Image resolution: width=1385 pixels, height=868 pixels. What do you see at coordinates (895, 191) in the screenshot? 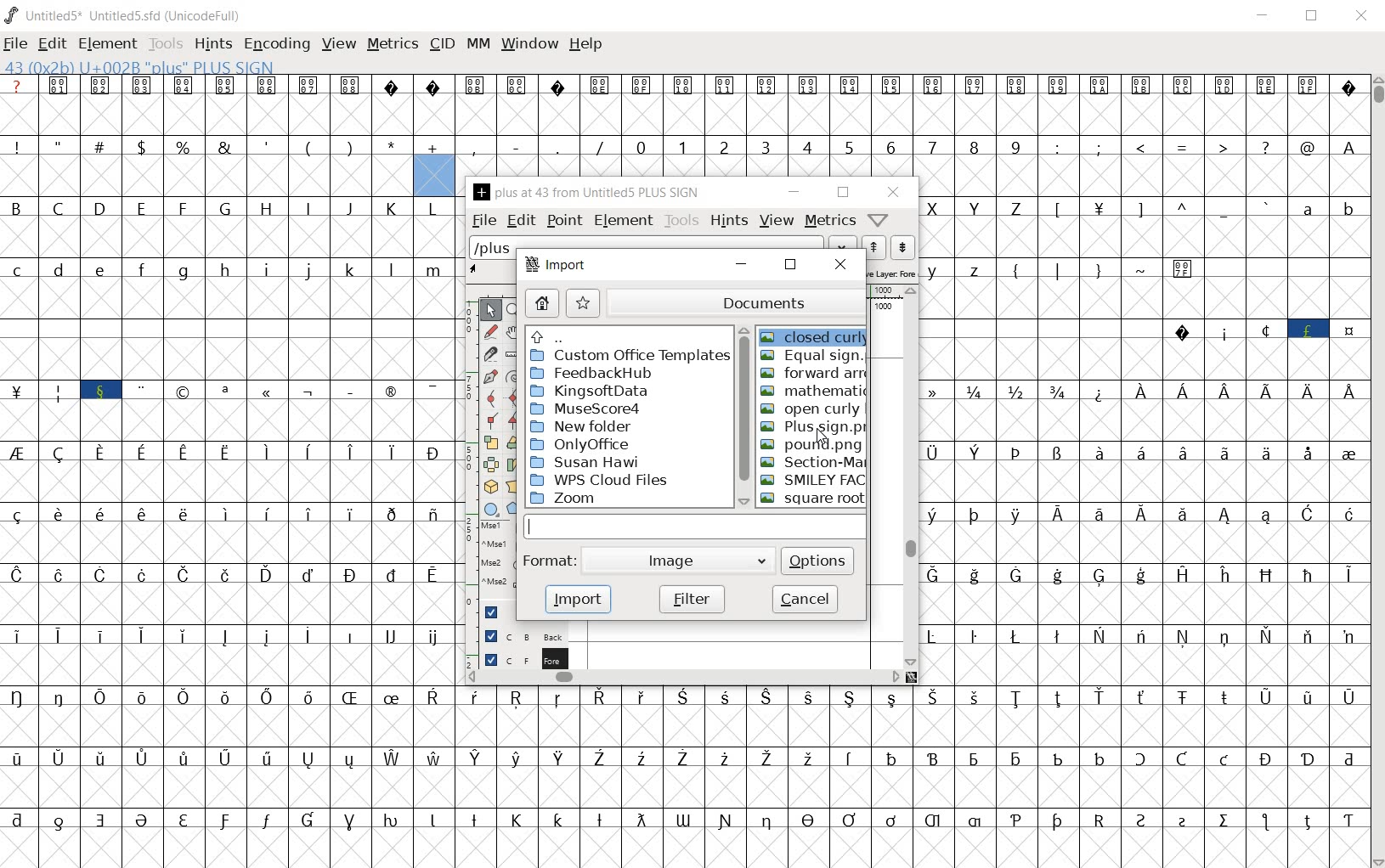
I see `close` at bounding box center [895, 191].